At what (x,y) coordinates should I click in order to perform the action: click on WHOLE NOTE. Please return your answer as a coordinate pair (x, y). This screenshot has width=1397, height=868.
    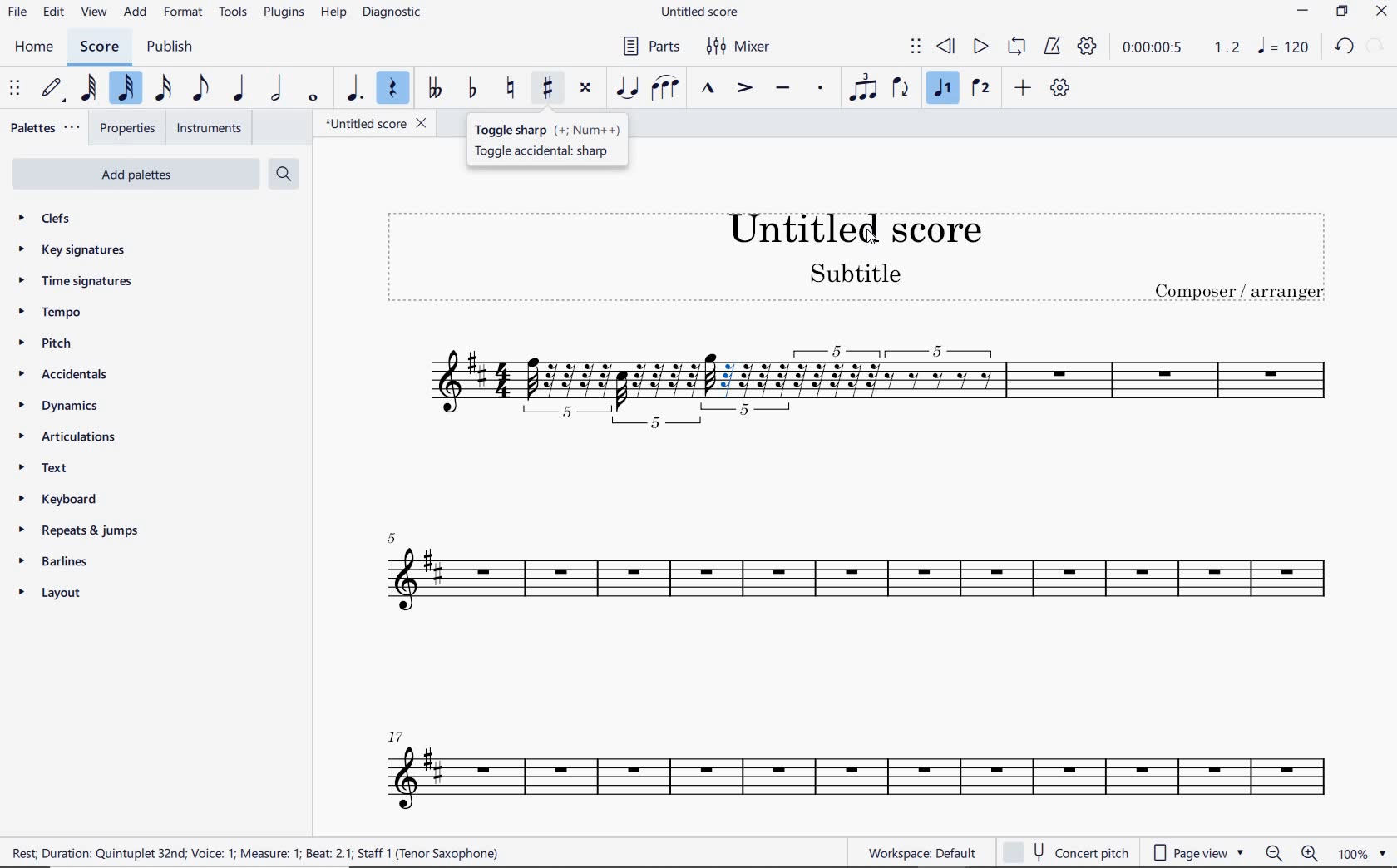
    Looking at the image, I should click on (313, 99).